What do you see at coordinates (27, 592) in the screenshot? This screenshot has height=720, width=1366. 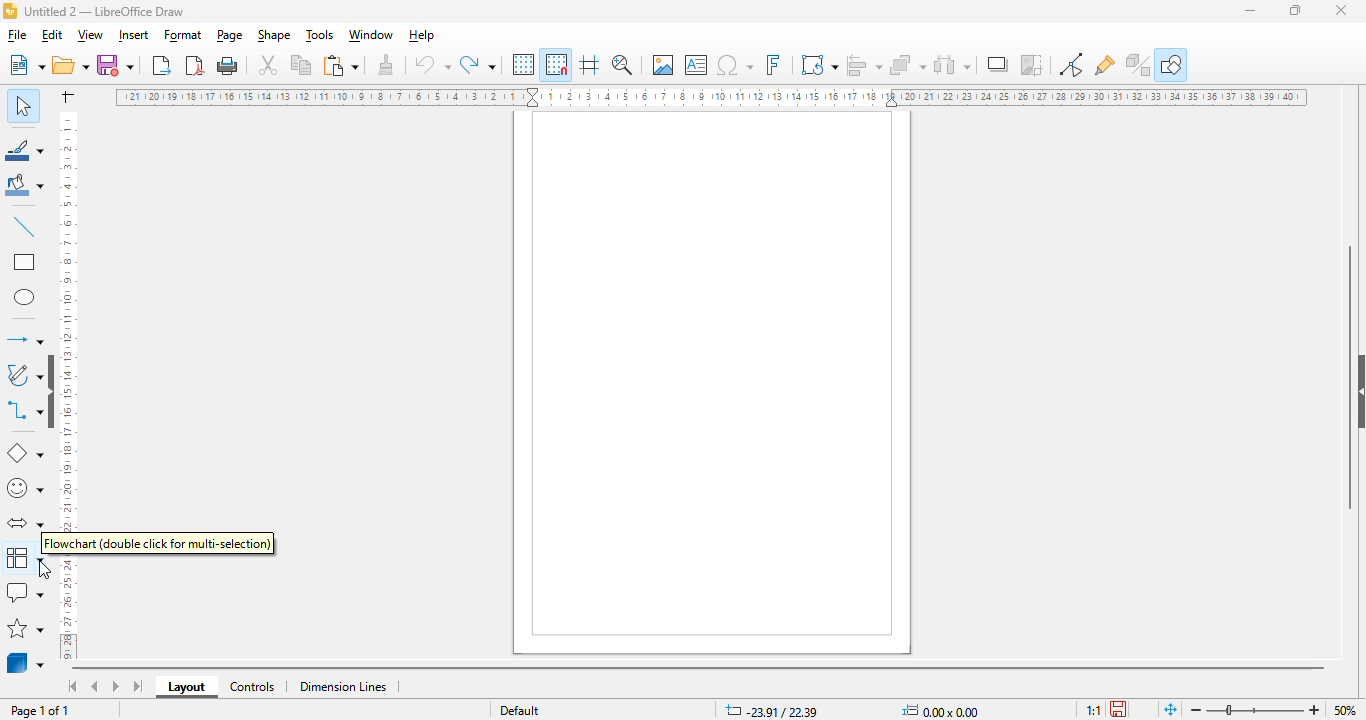 I see `callout shapes` at bounding box center [27, 592].